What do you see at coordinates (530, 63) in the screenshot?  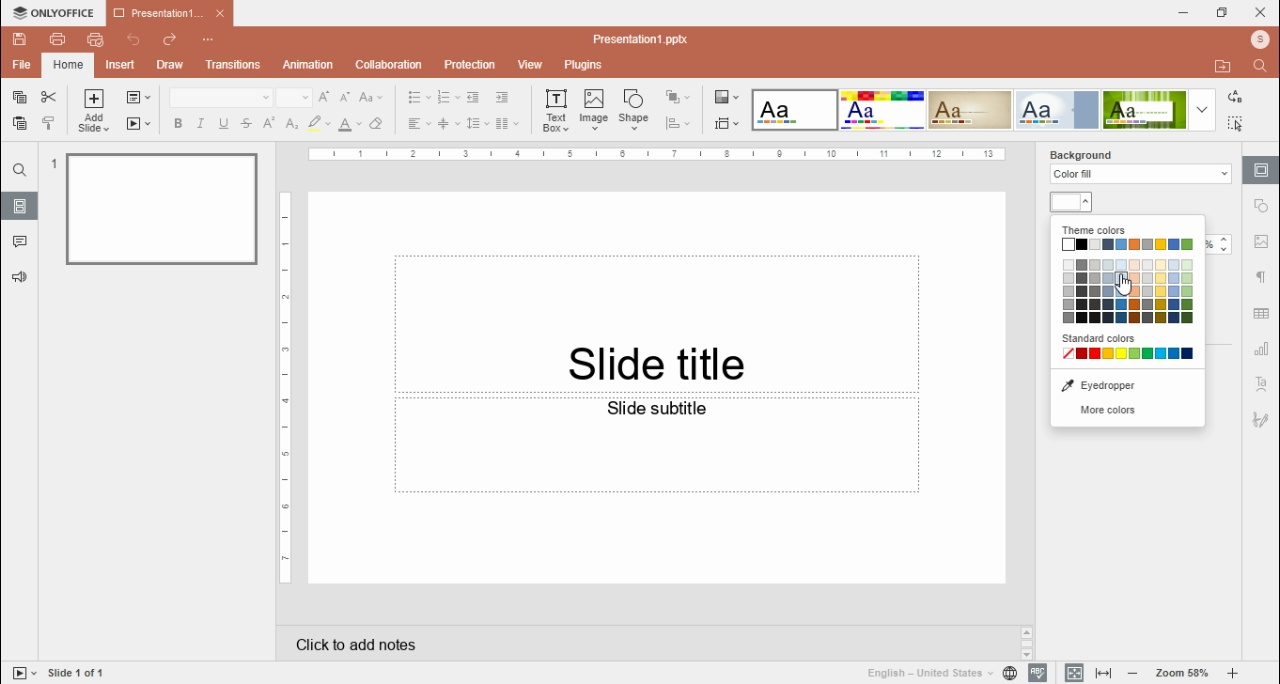 I see `view` at bounding box center [530, 63].